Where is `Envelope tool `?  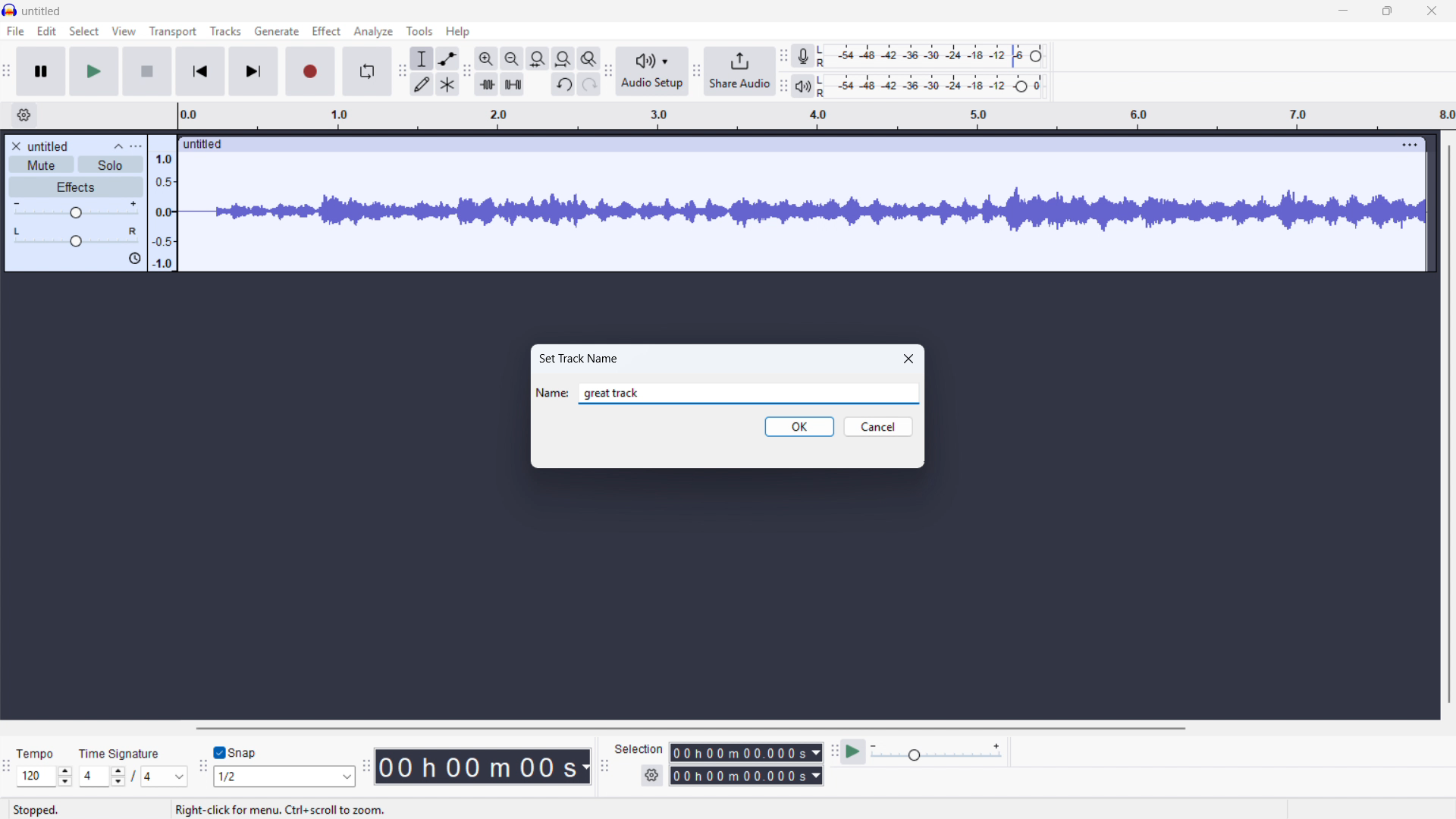 Envelope tool  is located at coordinates (447, 58).